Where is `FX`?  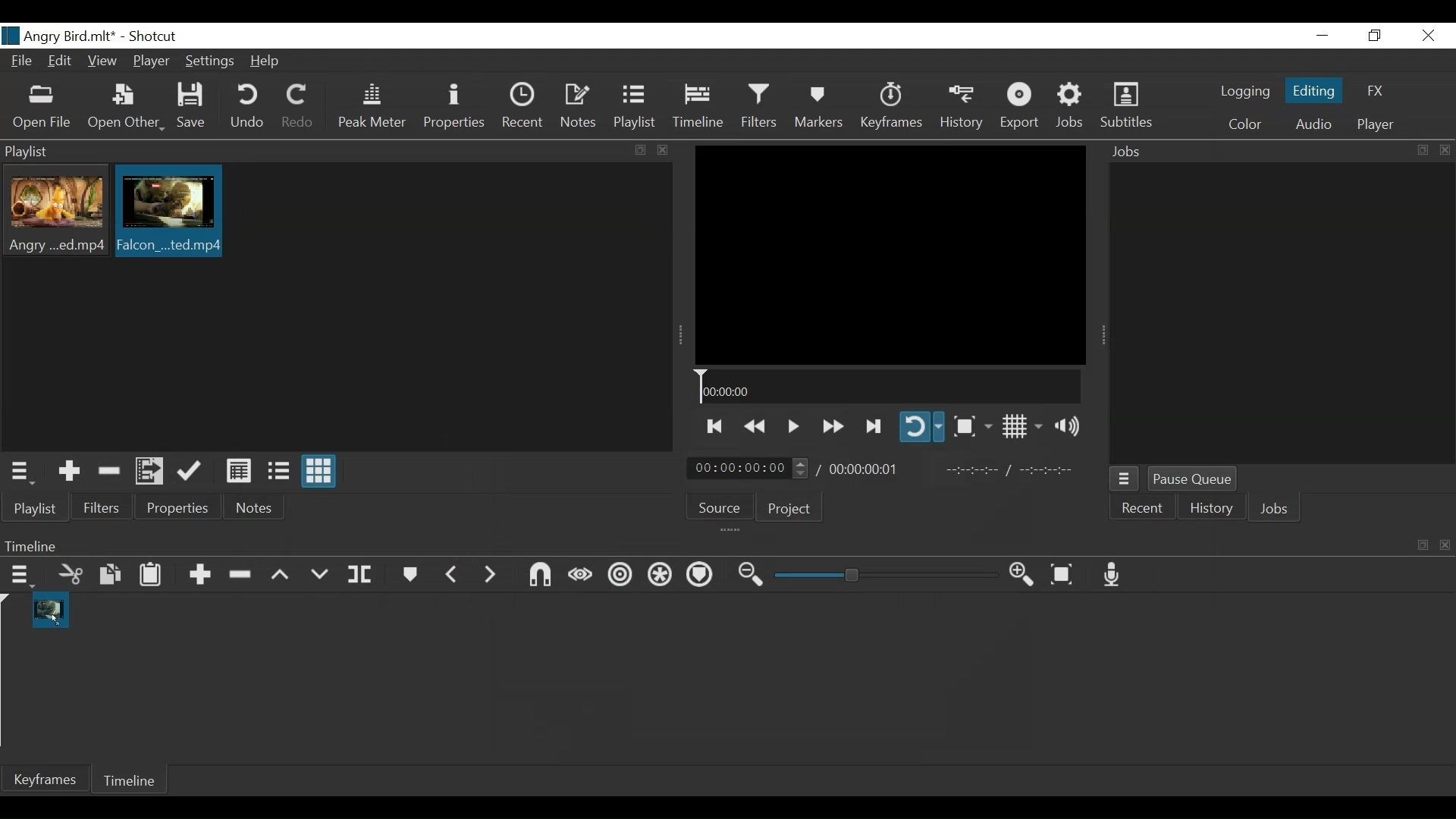 FX is located at coordinates (1373, 93).